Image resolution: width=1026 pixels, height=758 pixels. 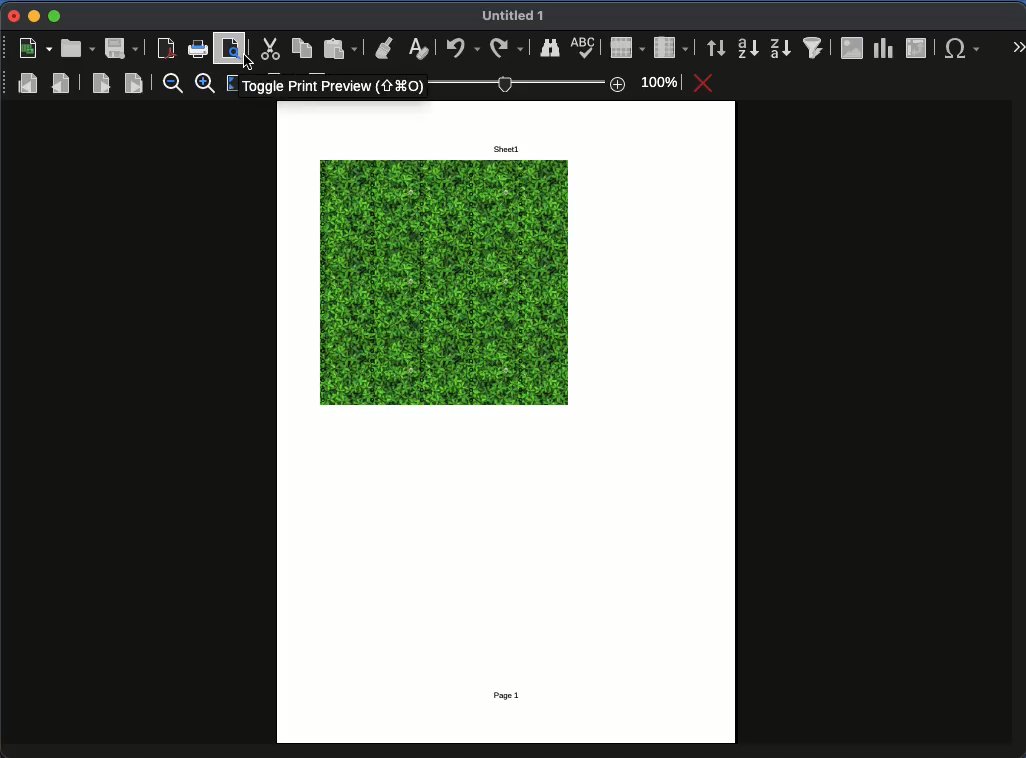 I want to click on close, so click(x=13, y=16).